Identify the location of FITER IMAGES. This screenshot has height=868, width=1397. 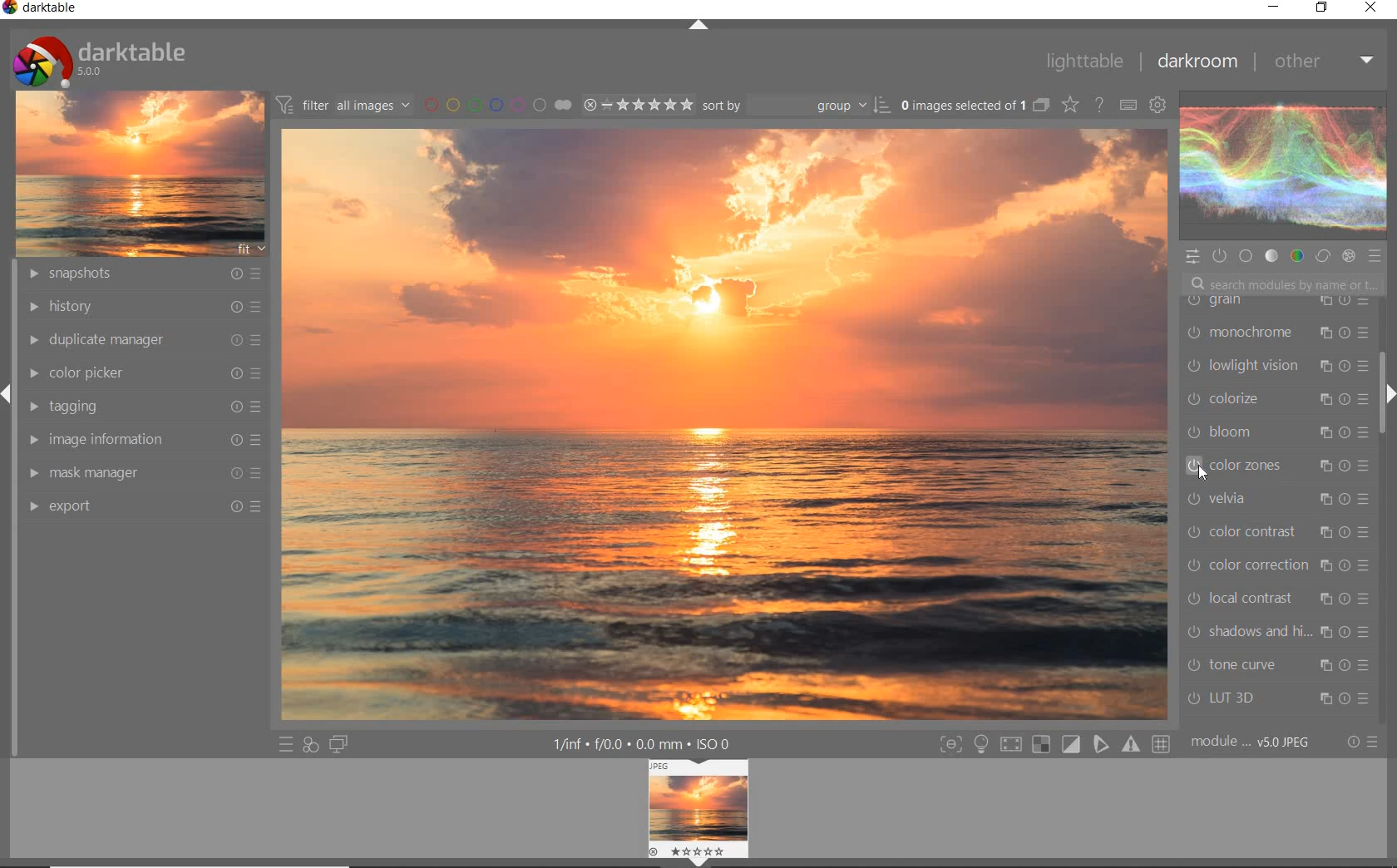
(343, 104).